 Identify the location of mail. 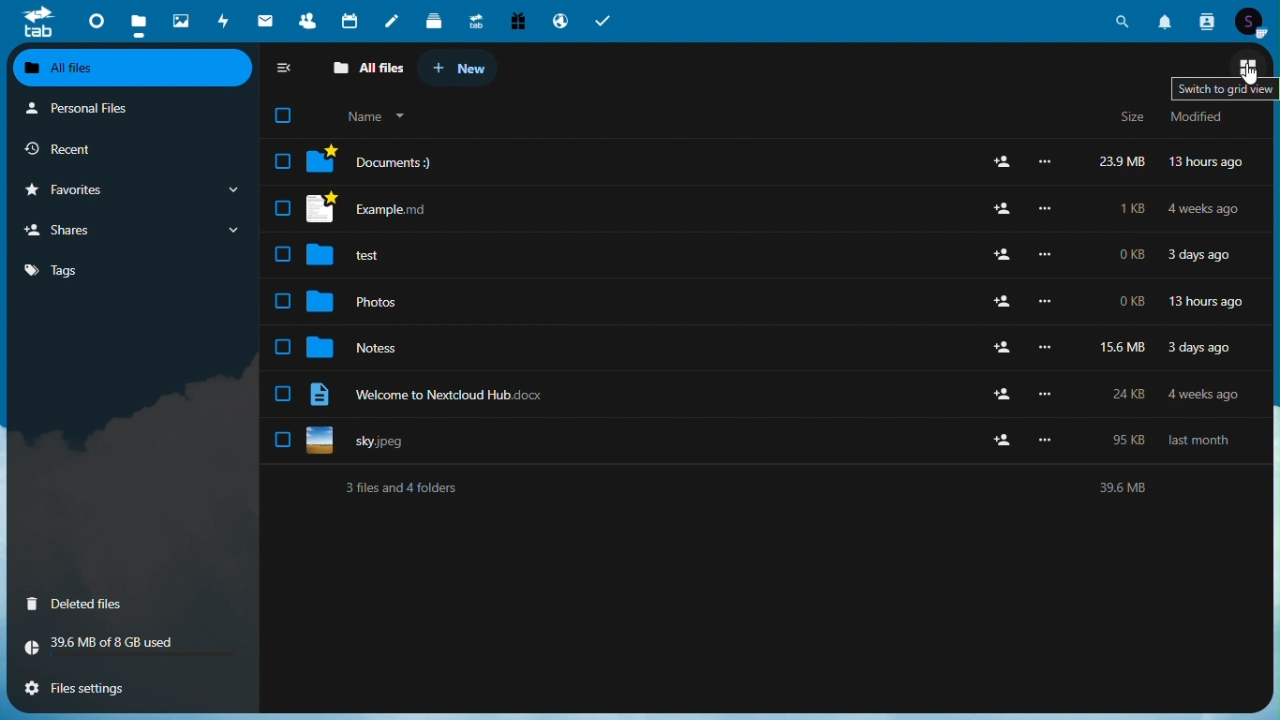
(265, 18).